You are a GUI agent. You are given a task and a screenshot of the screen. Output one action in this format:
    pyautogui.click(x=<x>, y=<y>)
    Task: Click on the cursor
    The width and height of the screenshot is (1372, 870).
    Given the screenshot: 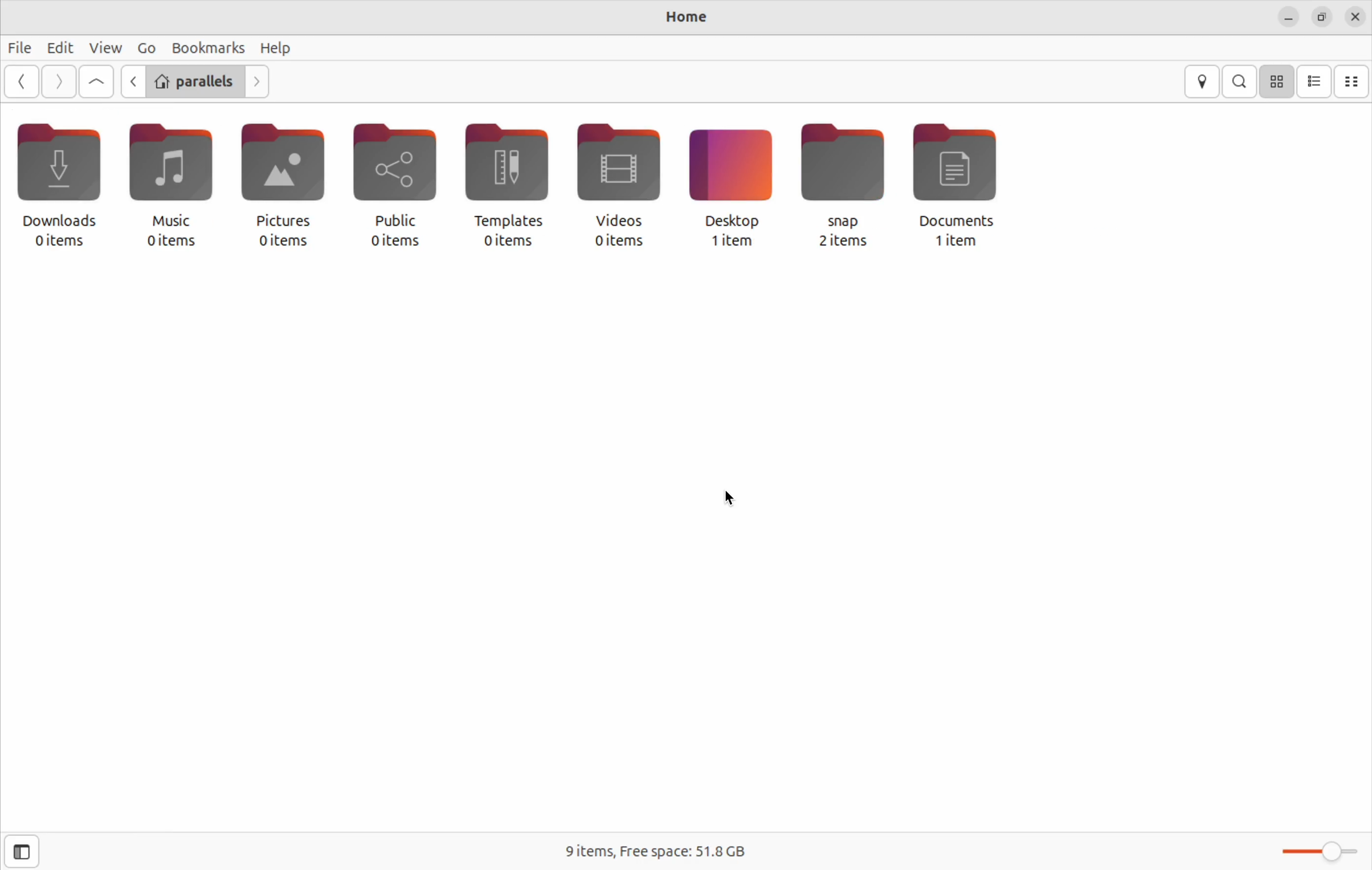 What is the action you would take?
    pyautogui.click(x=733, y=498)
    